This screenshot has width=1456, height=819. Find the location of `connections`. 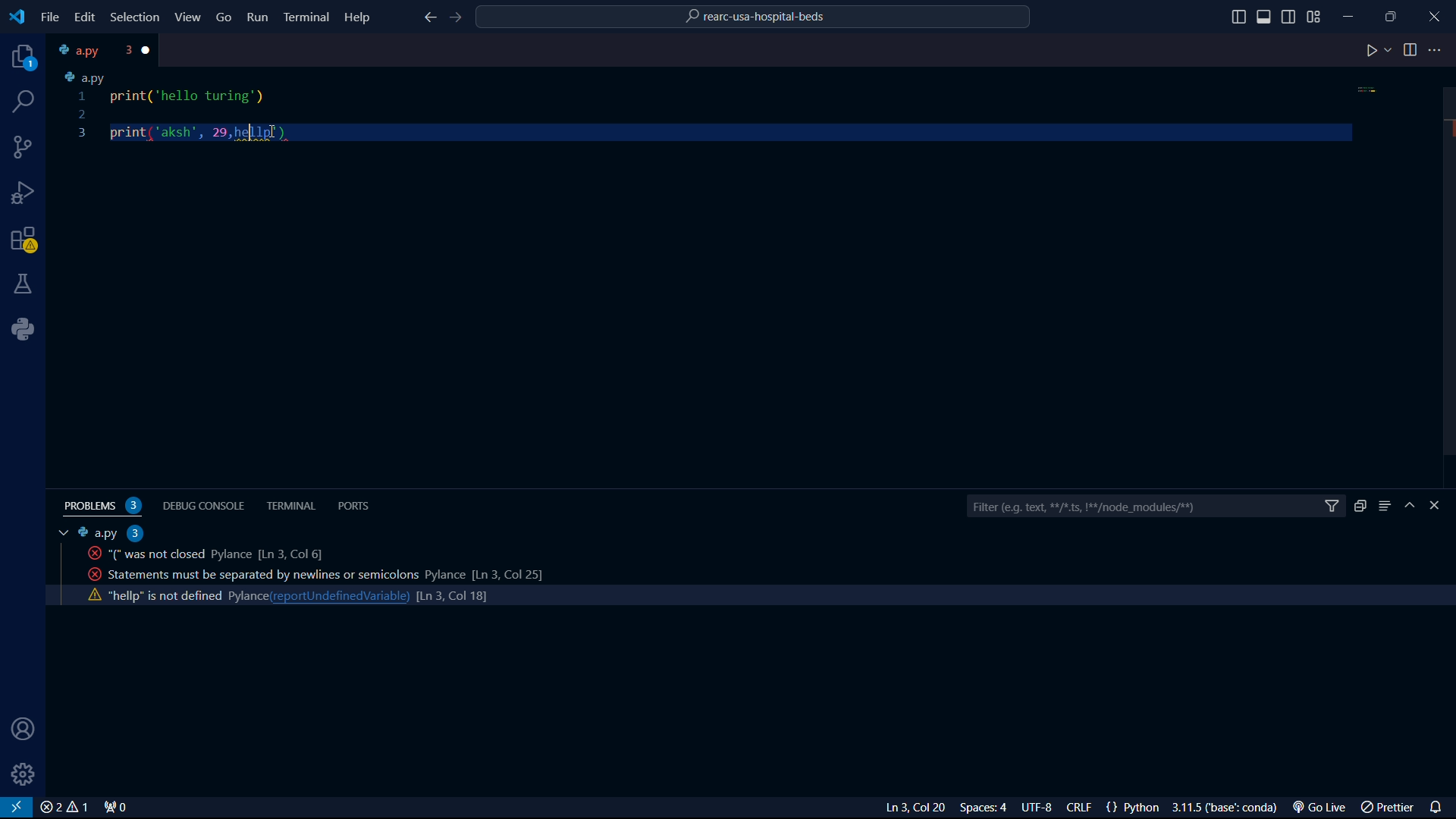

connections is located at coordinates (24, 147).